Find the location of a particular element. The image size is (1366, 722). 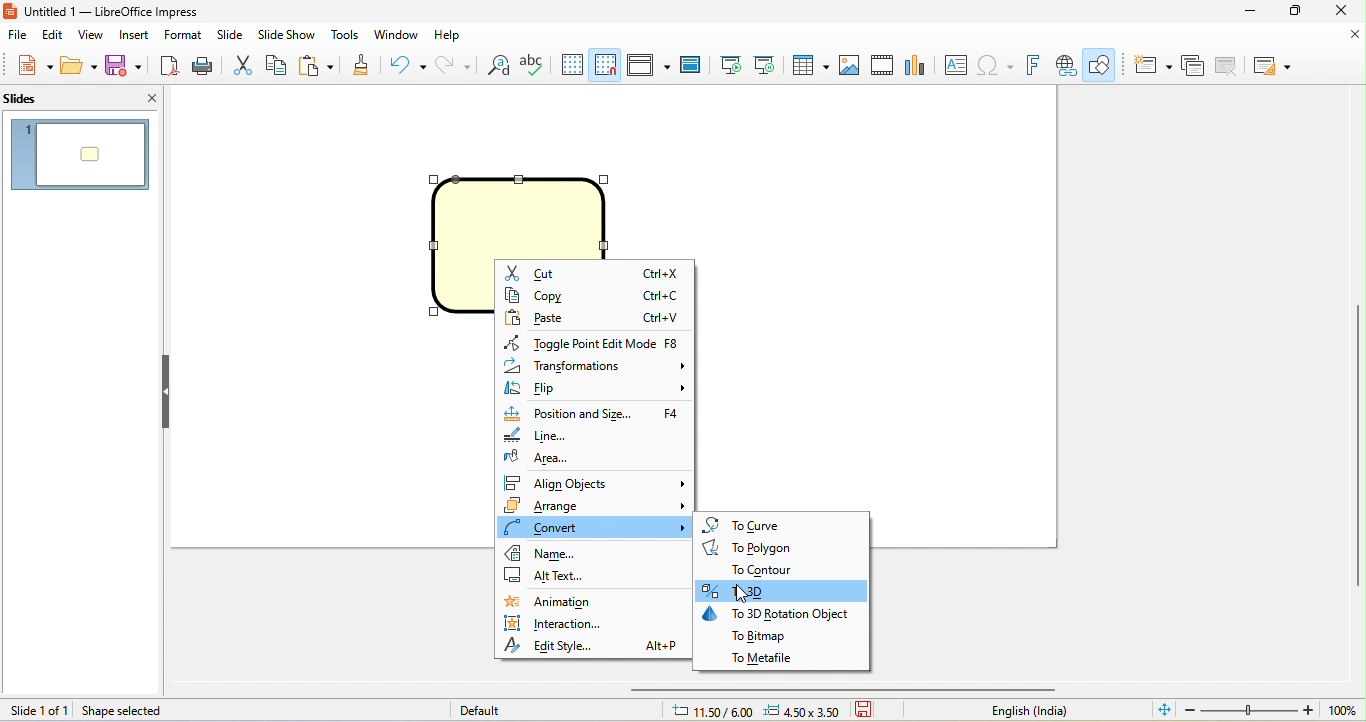

image is located at coordinates (852, 64).